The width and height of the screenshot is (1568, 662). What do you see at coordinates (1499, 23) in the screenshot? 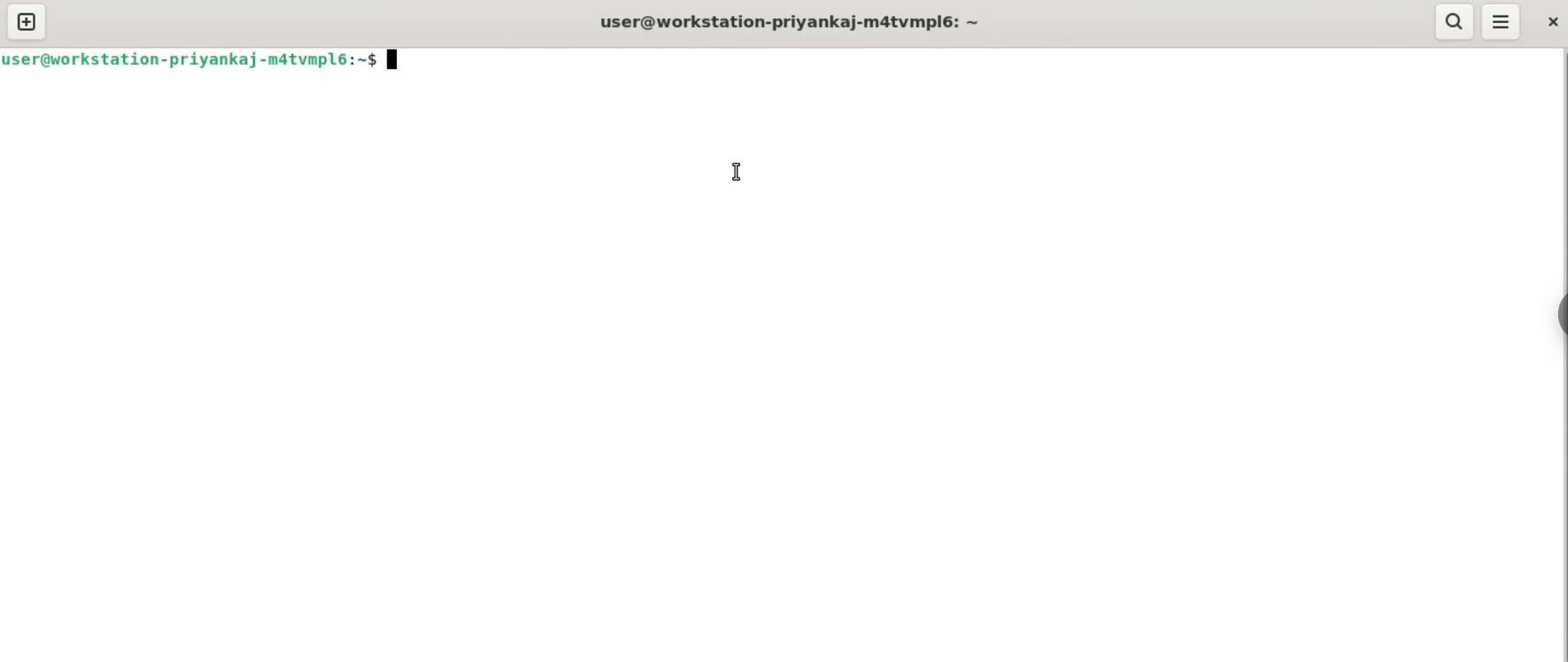
I see `menu` at bounding box center [1499, 23].